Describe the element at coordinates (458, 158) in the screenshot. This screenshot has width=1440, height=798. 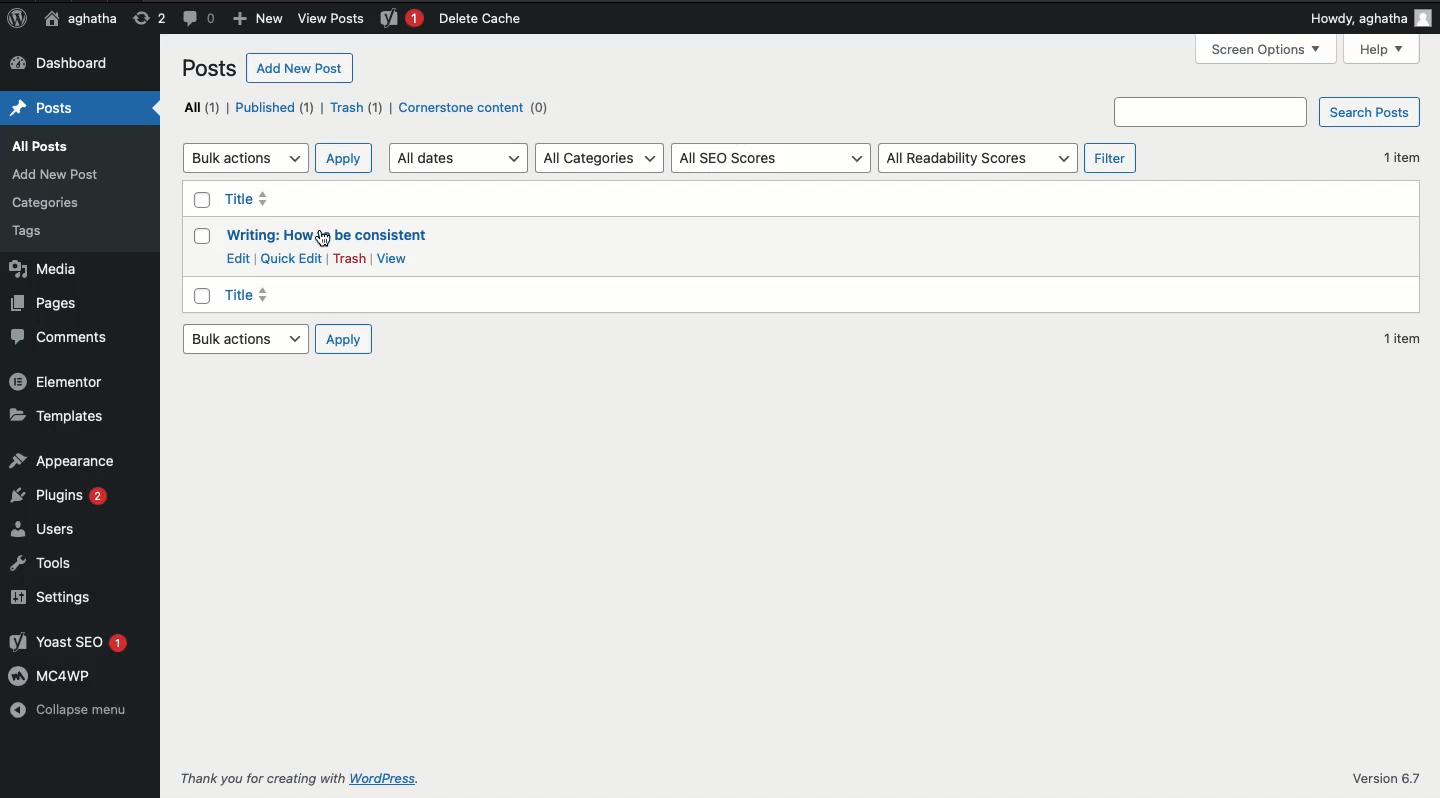
I see `All dates` at that location.